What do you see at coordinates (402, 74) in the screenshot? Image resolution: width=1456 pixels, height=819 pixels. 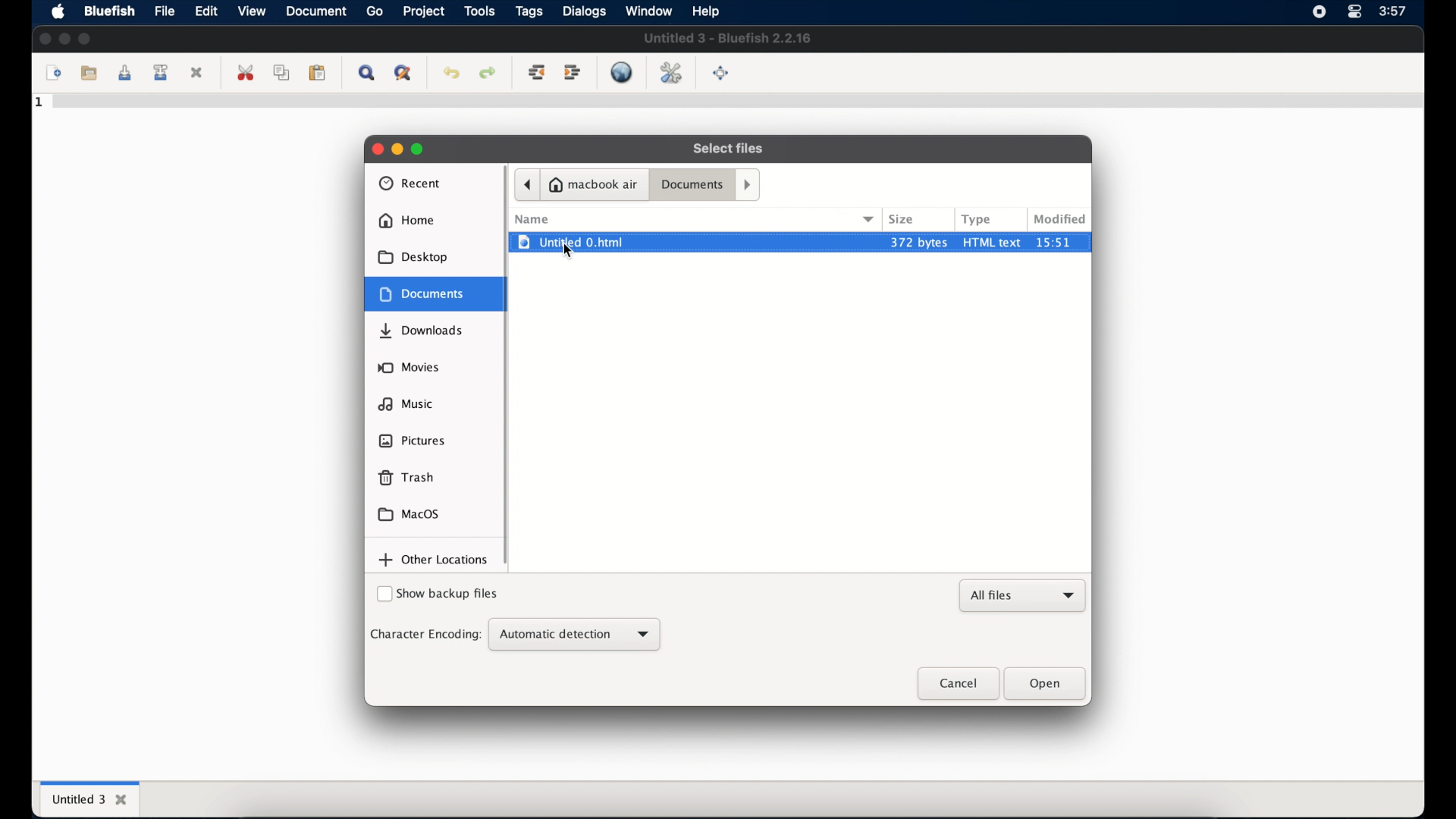 I see `advanced find and replace` at bounding box center [402, 74].